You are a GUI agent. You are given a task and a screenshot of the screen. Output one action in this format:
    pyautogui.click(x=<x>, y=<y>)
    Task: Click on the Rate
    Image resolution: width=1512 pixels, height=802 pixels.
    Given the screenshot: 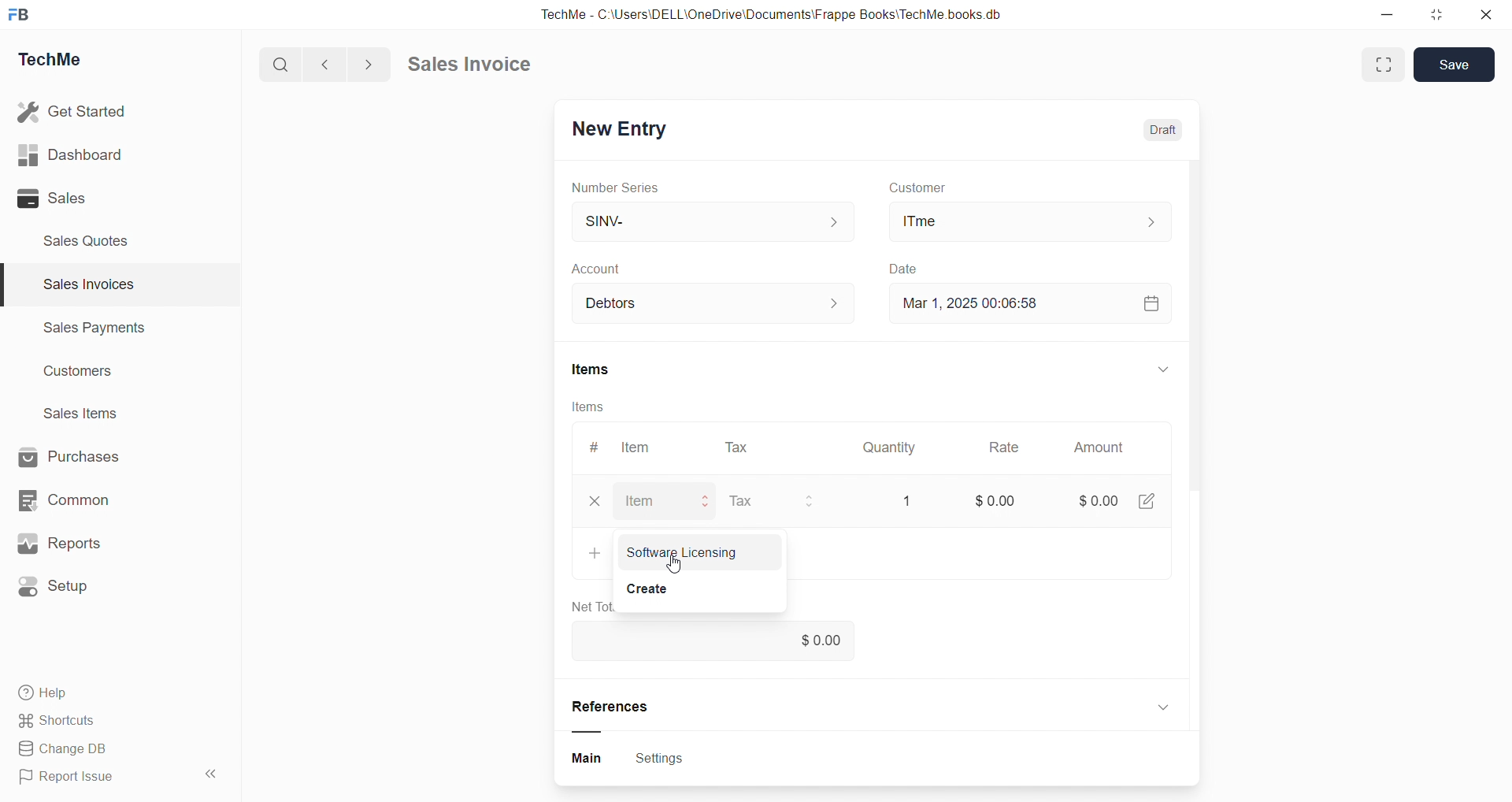 What is the action you would take?
    pyautogui.click(x=1007, y=449)
    